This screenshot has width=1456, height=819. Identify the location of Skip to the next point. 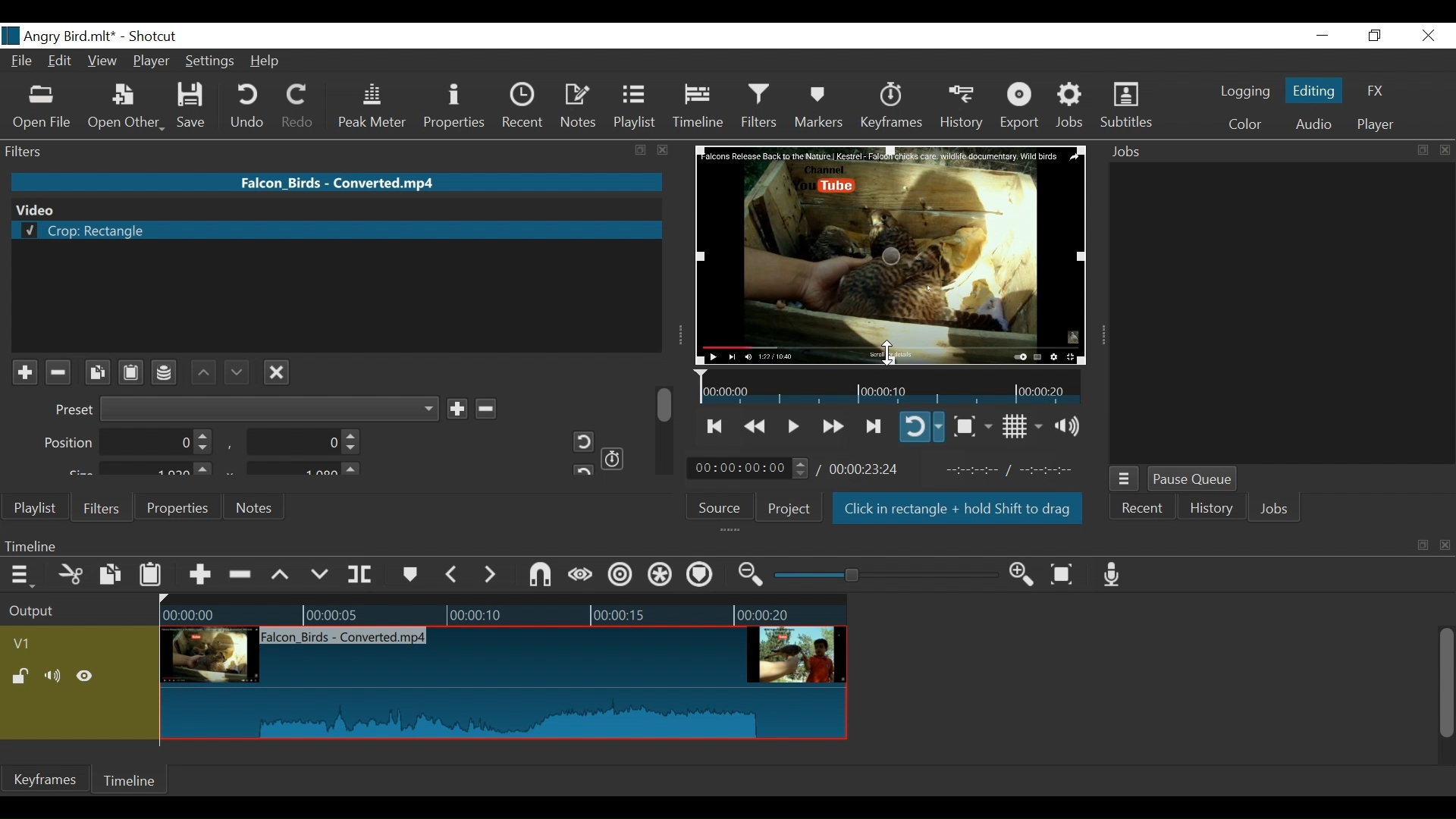
(874, 427).